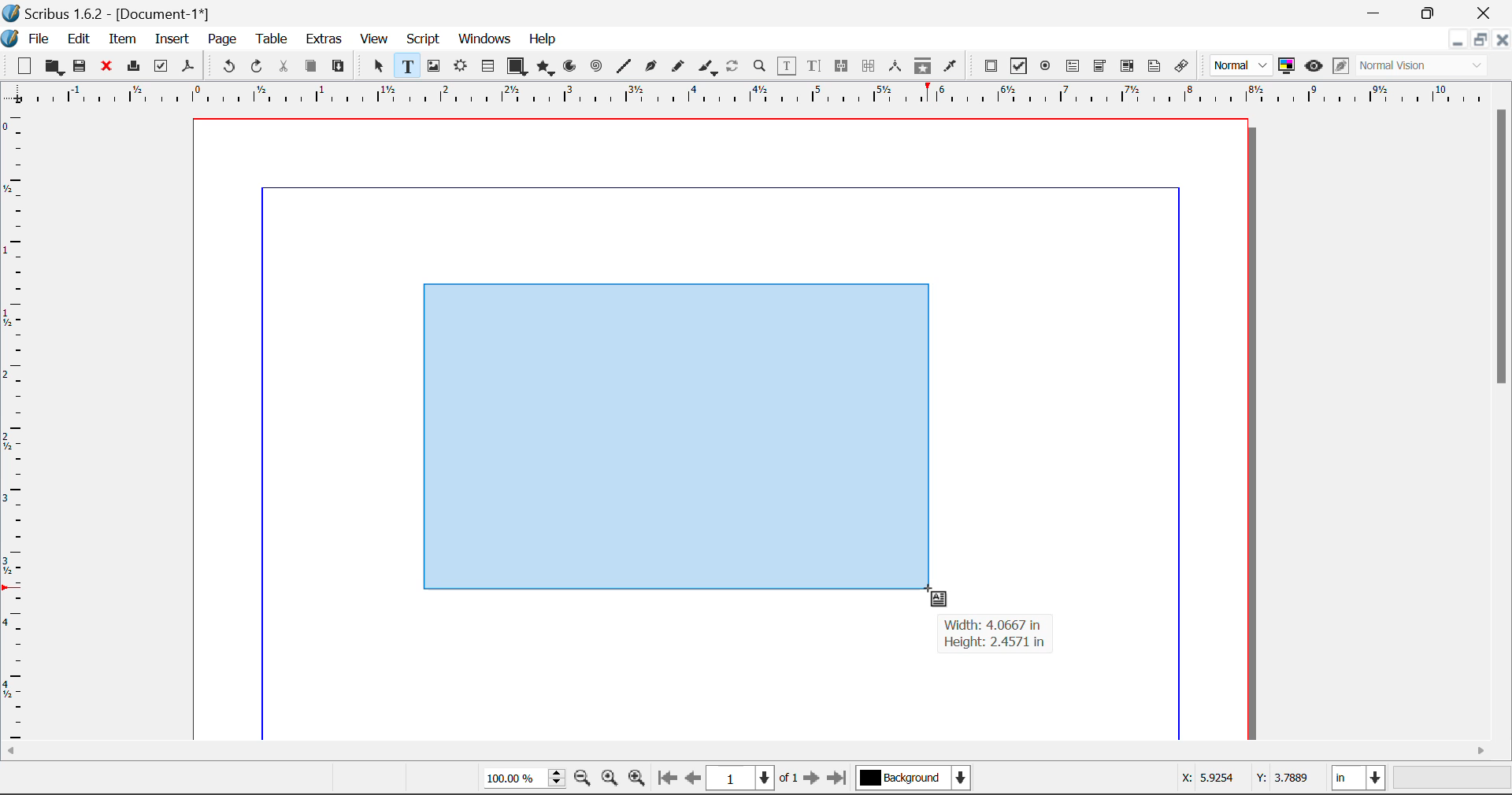 This screenshot has width=1512, height=795. I want to click on First Page, so click(667, 780).